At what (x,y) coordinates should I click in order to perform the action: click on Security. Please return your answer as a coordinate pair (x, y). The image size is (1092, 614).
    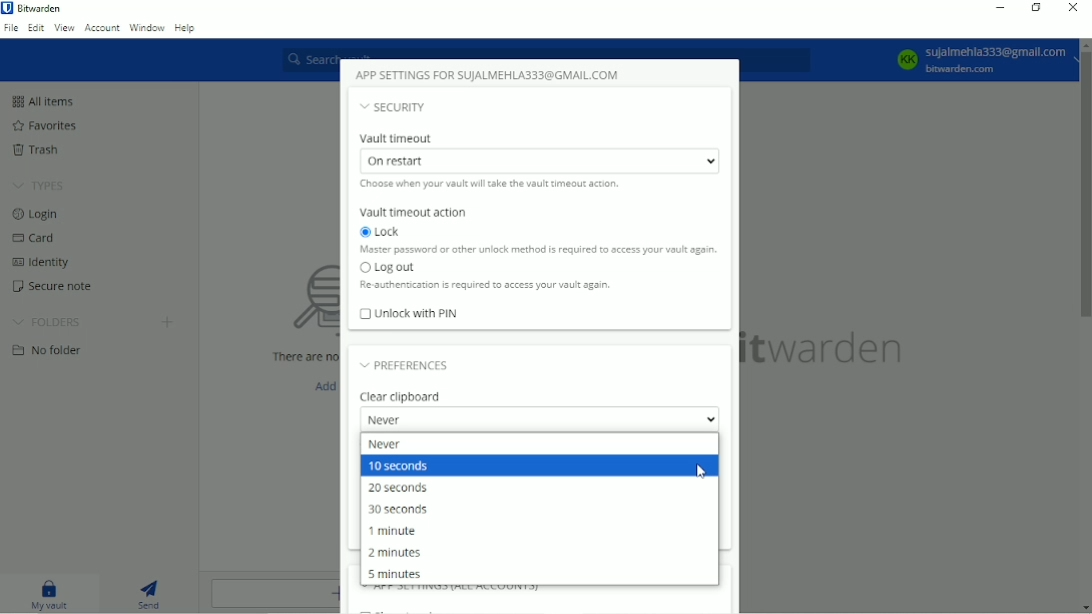
    Looking at the image, I should click on (395, 110).